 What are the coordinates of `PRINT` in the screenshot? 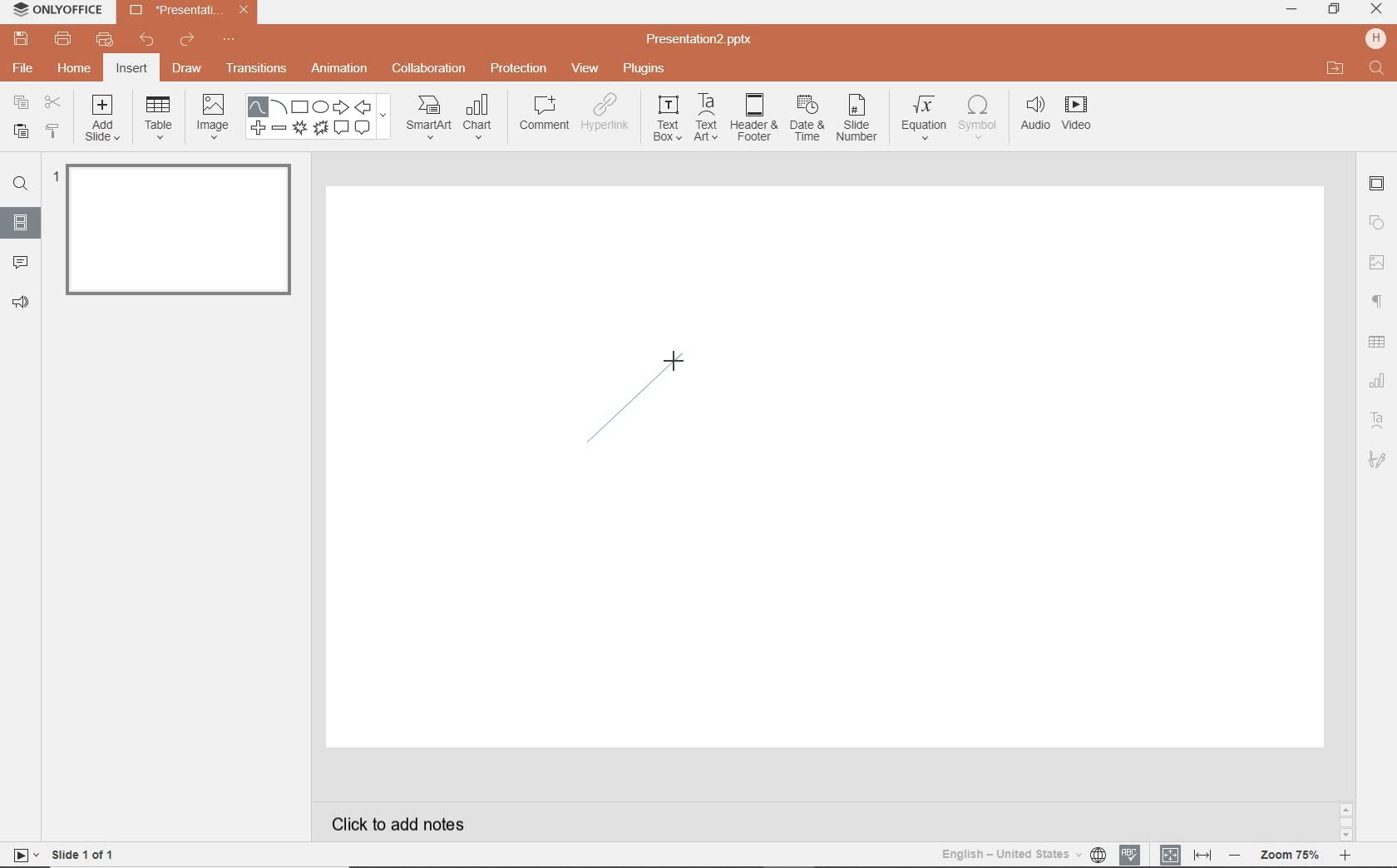 It's located at (62, 38).